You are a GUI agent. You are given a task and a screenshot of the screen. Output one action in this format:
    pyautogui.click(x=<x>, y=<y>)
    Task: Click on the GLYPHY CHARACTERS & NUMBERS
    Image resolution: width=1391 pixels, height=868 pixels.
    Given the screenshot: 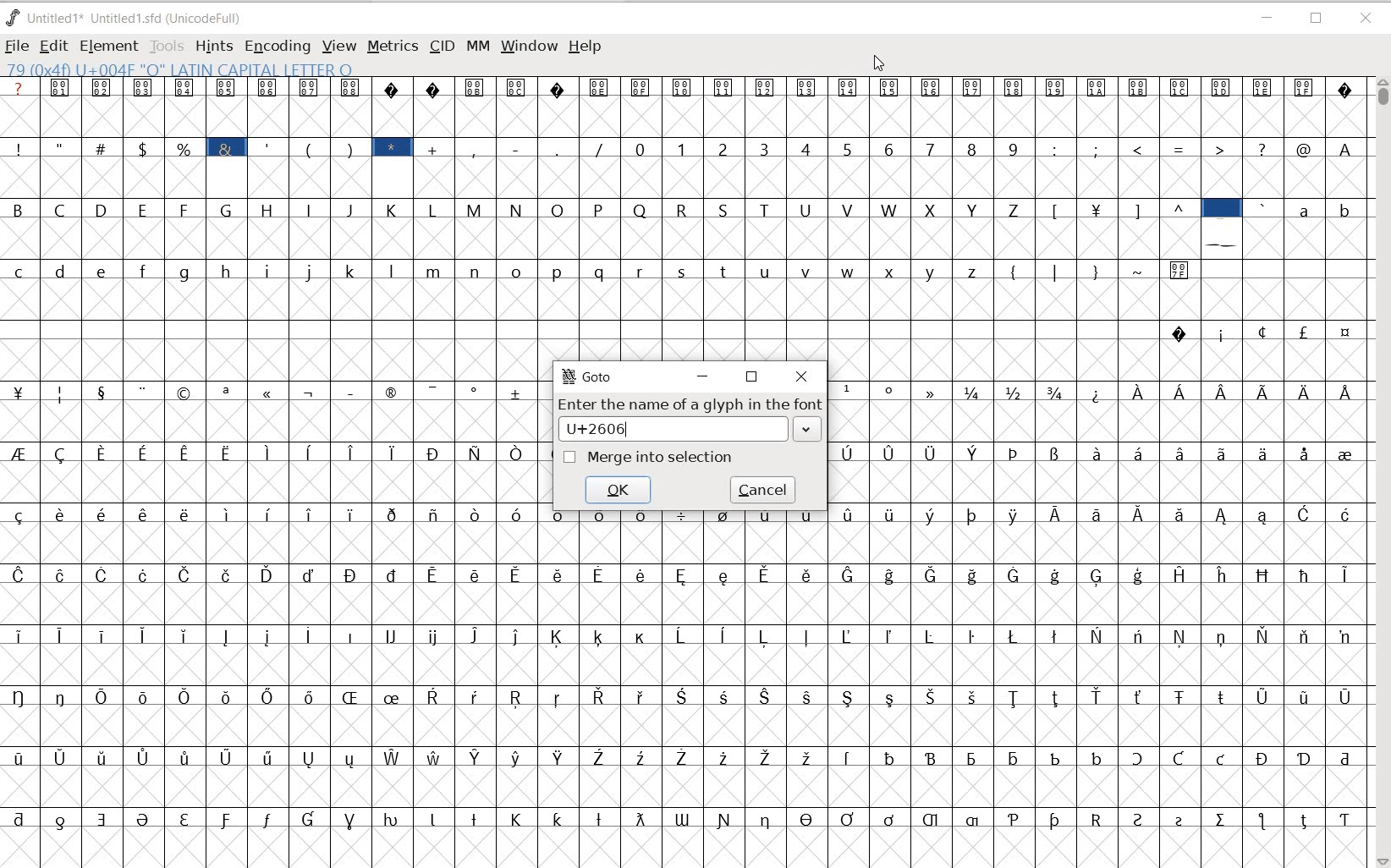 What is the action you would take?
    pyautogui.click(x=948, y=687)
    